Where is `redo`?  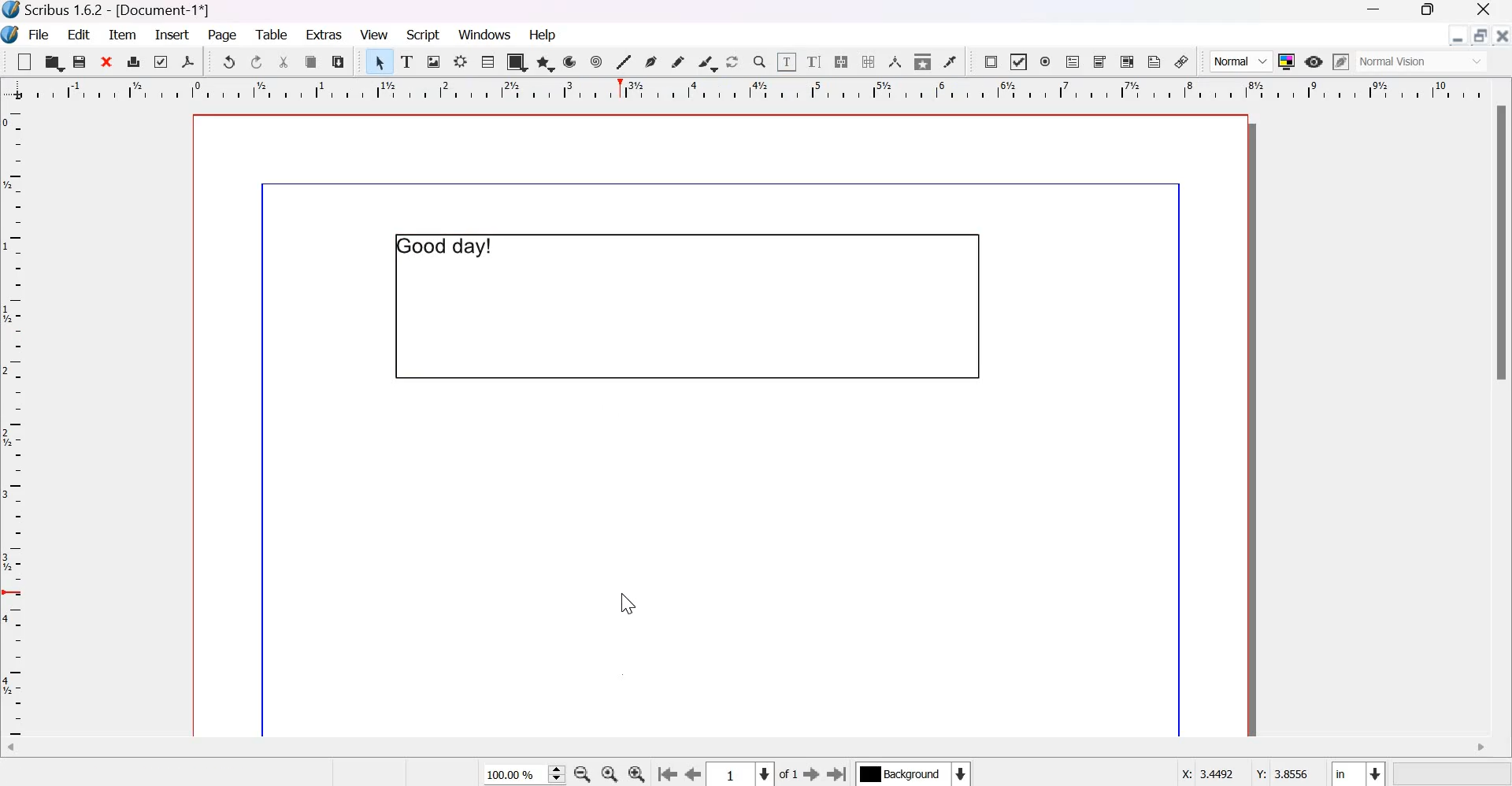 redo is located at coordinates (258, 62).